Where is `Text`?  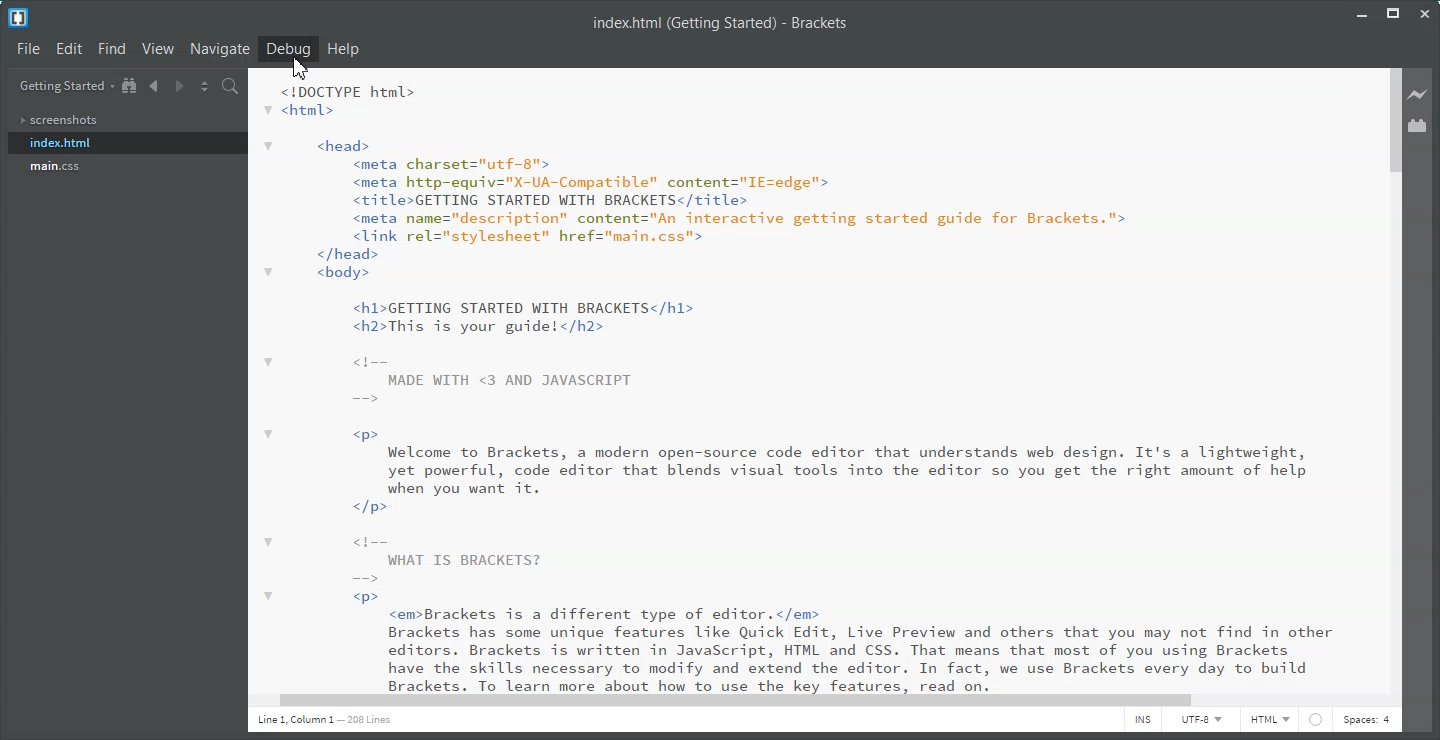
Text is located at coordinates (324, 720).